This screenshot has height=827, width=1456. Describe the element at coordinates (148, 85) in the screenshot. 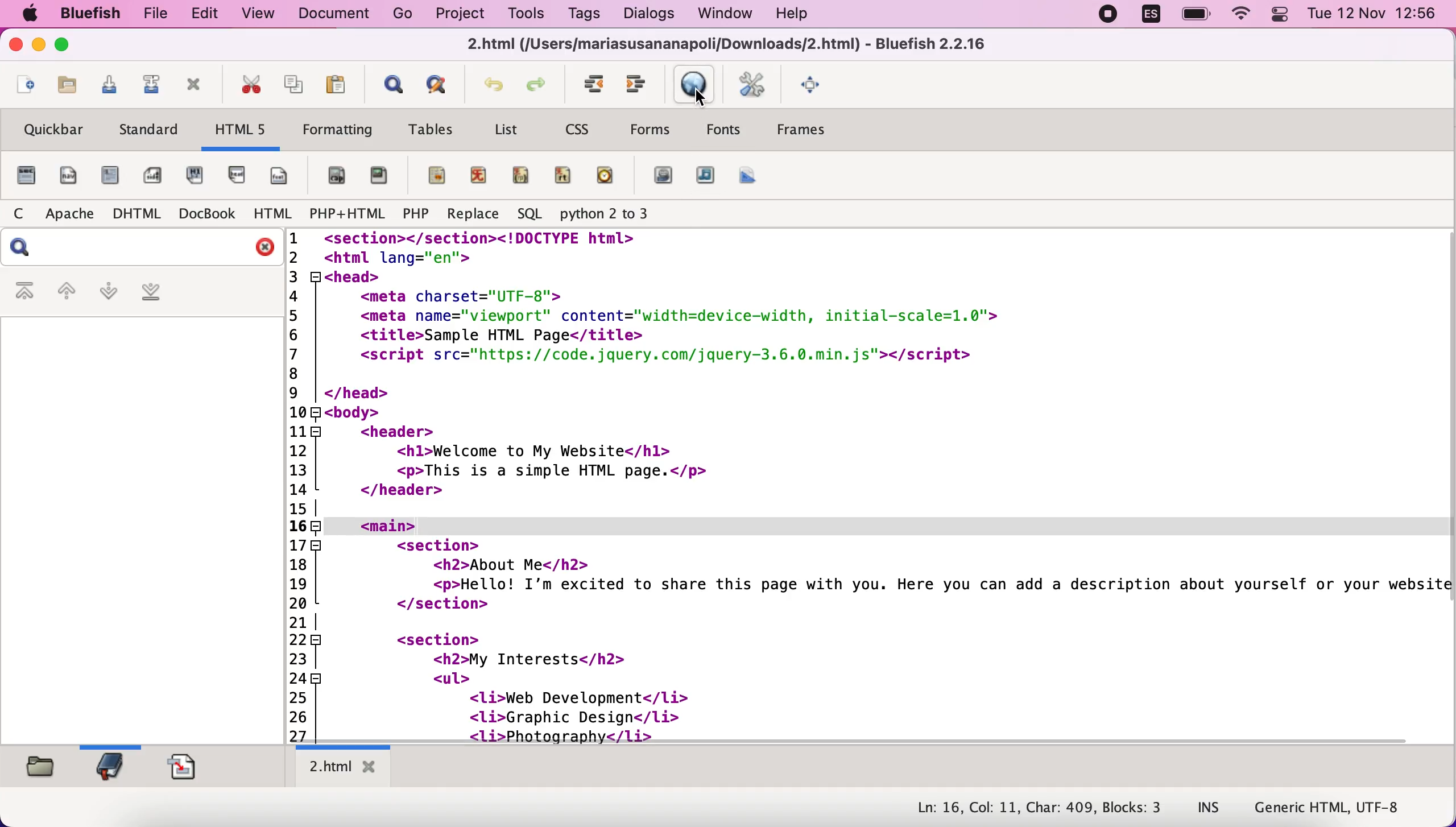

I see `save file as` at that location.